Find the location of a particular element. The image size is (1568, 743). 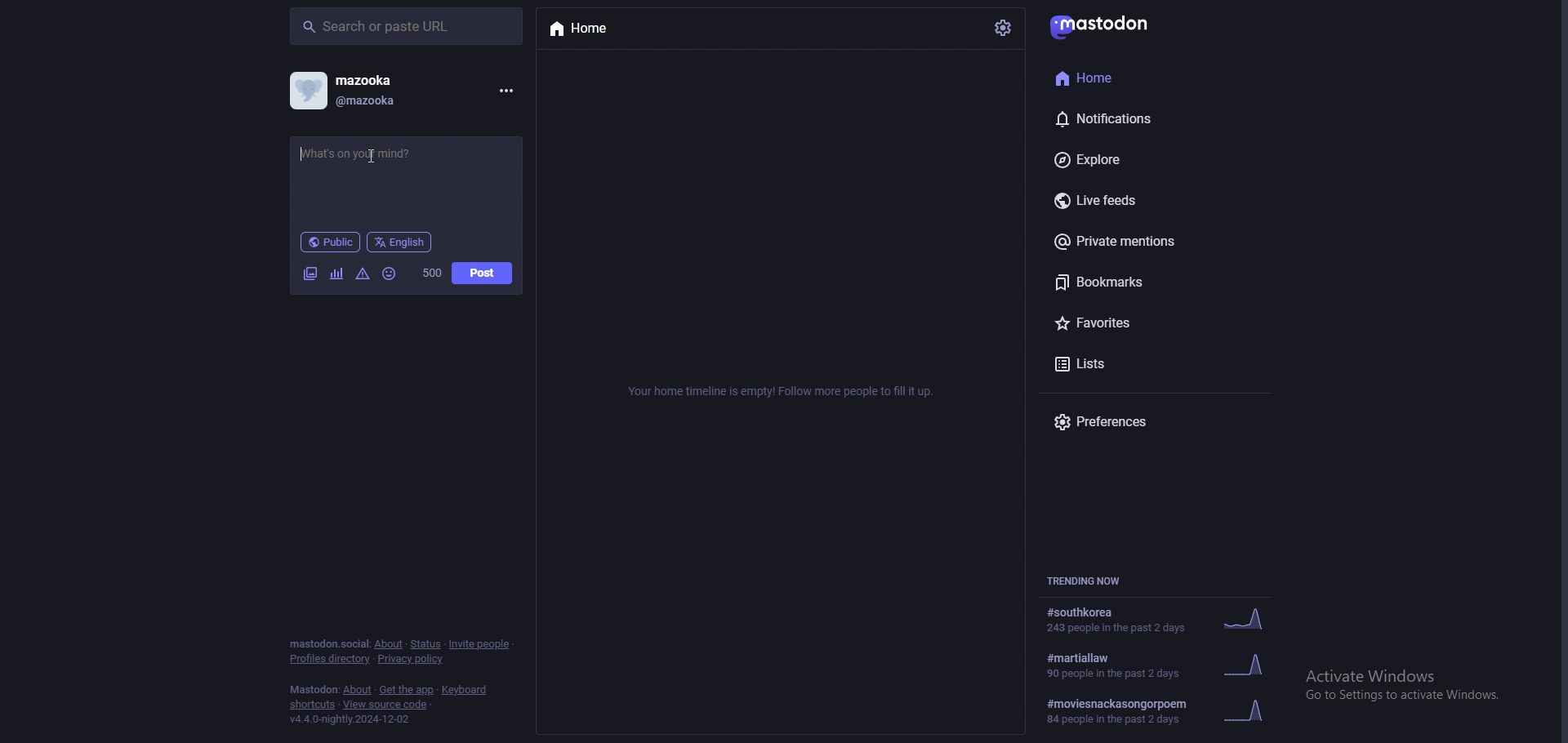

private mentions is located at coordinates (1134, 242).